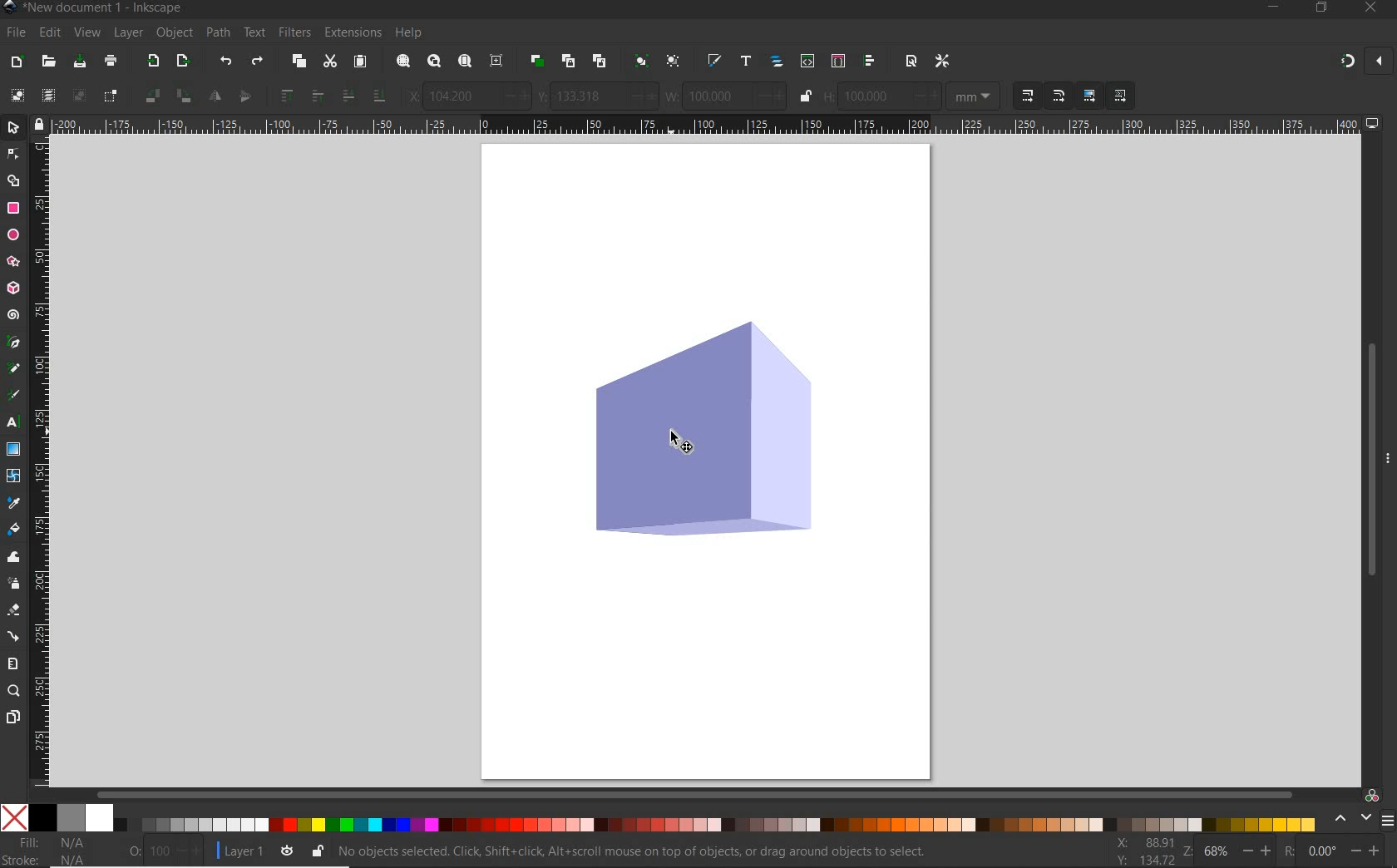 The height and width of the screenshot is (868, 1397). What do you see at coordinates (1029, 96) in the screenshot?
I see `WHENSCALING OBJECTS` at bounding box center [1029, 96].